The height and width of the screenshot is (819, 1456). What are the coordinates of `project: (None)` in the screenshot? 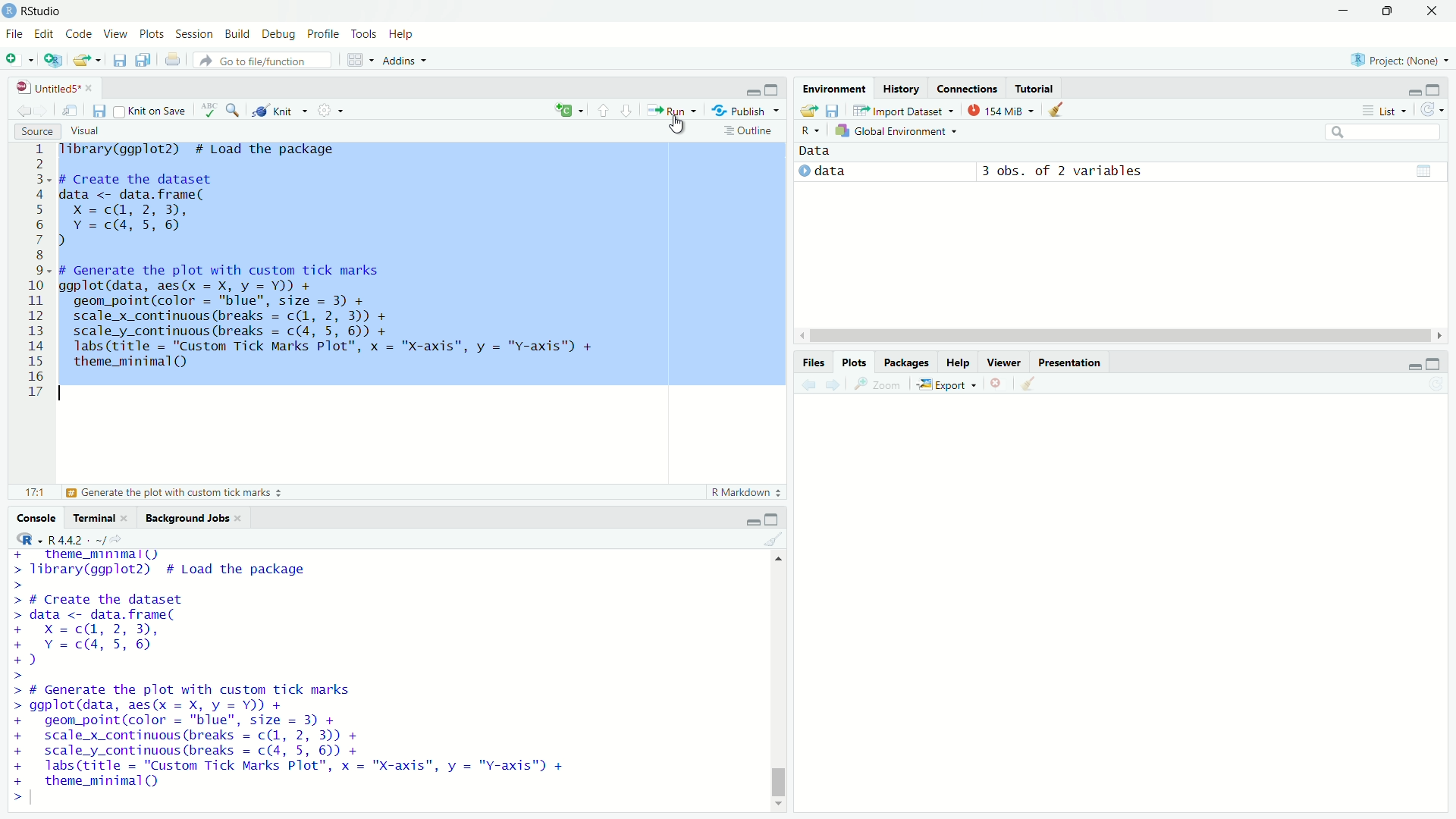 It's located at (1398, 56).